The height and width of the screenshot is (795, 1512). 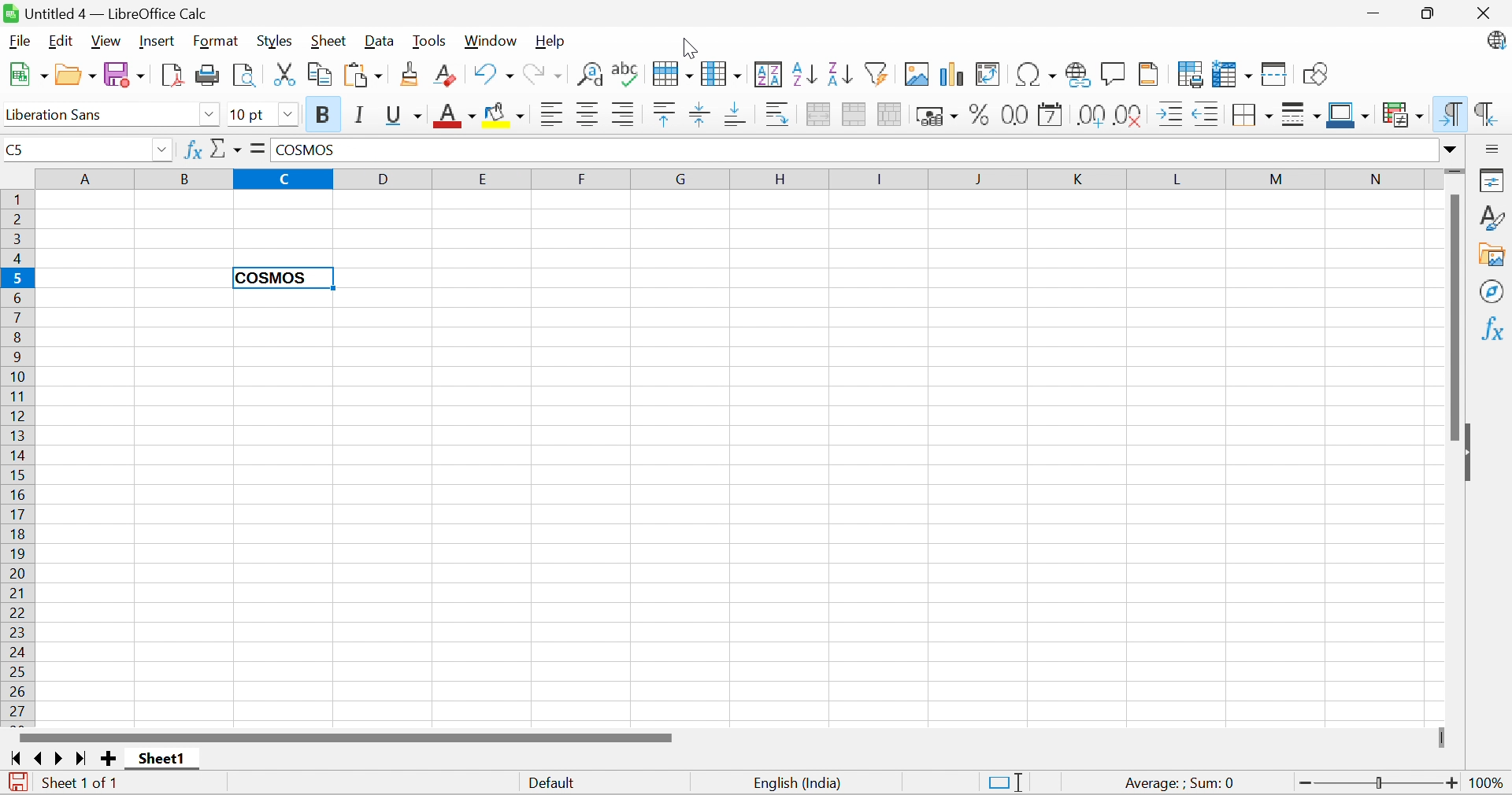 What do you see at coordinates (15, 757) in the screenshot?
I see `Scroll To First Sheet` at bounding box center [15, 757].